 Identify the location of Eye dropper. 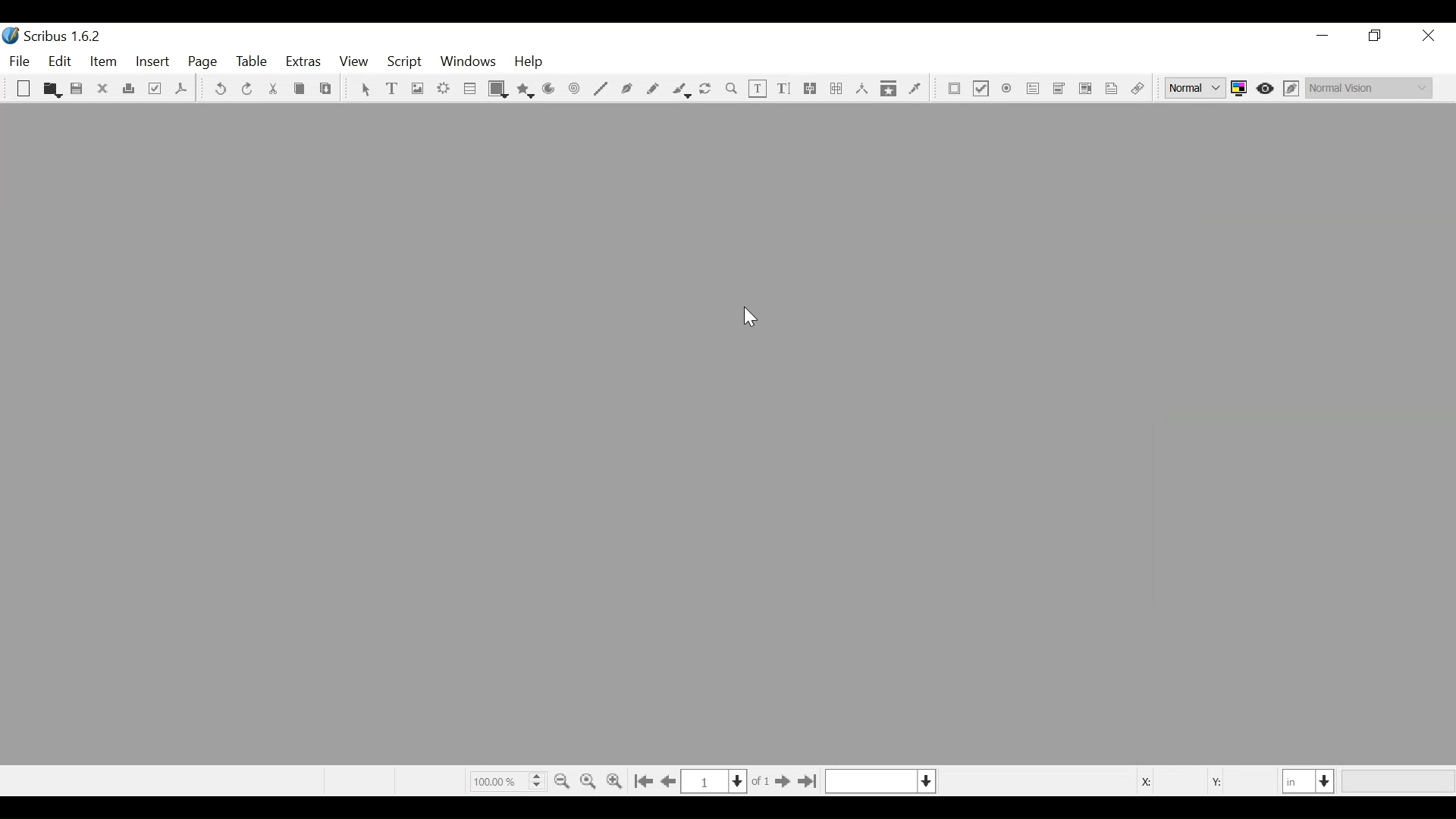
(915, 88).